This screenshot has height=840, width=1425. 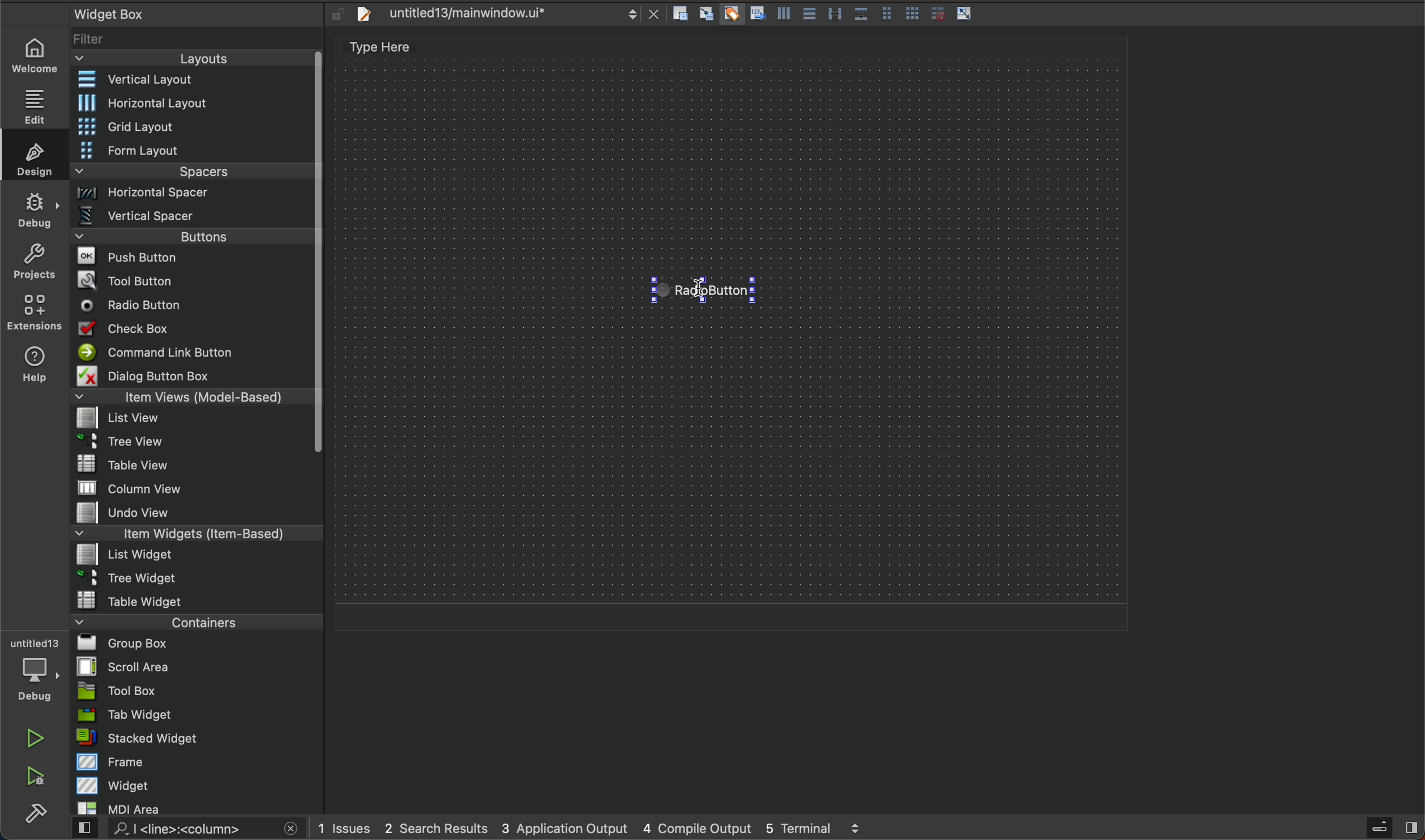 What do you see at coordinates (190, 445) in the screenshot?
I see `` at bounding box center [190, 445].